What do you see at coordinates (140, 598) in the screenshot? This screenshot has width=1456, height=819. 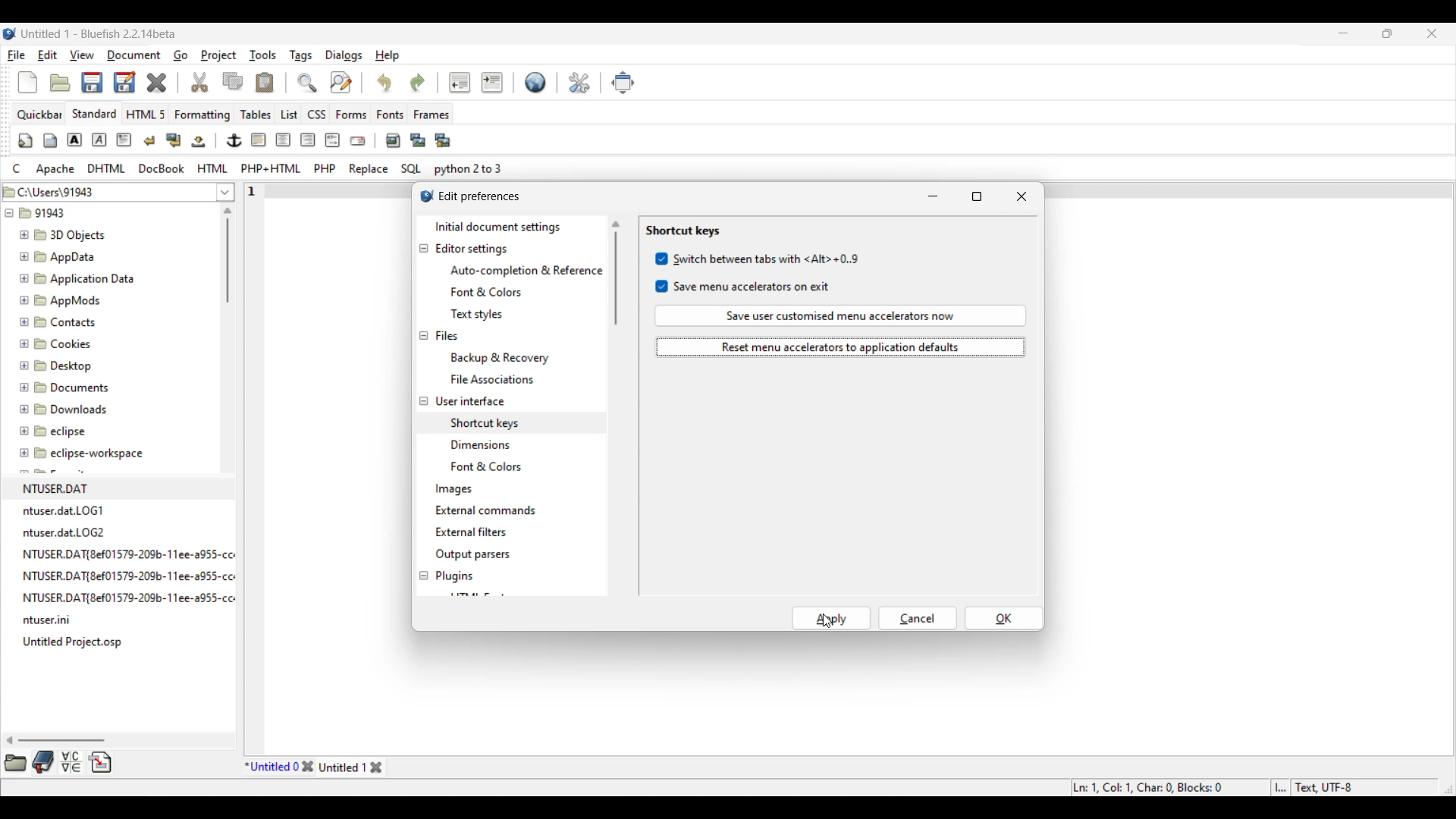 I see `NTUSER.DAT{8ef01579-209b-11ee-a955-ccs` at bounding box center [140, 598].